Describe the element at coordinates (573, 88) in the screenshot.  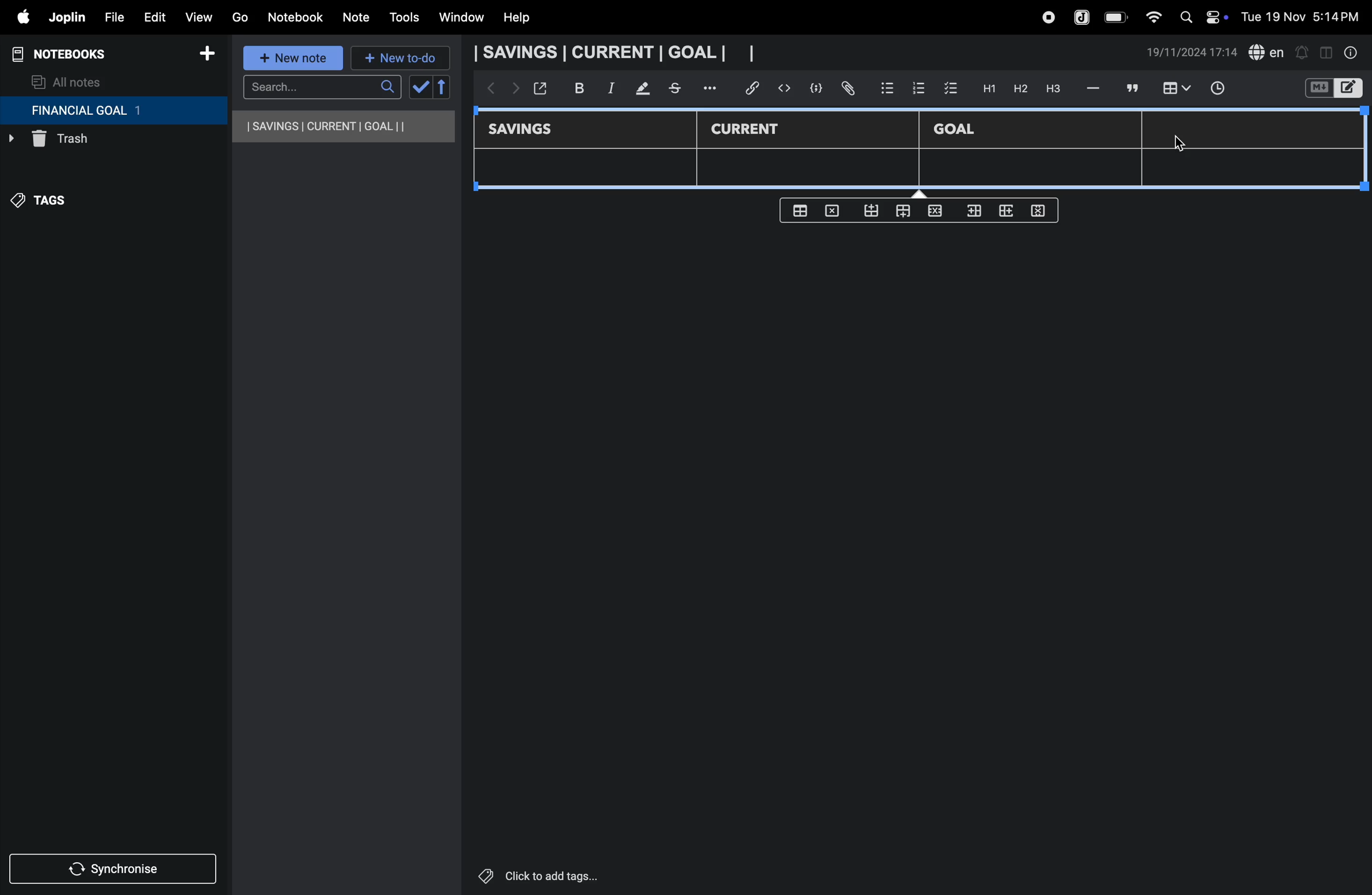
I see `bold` at that location.